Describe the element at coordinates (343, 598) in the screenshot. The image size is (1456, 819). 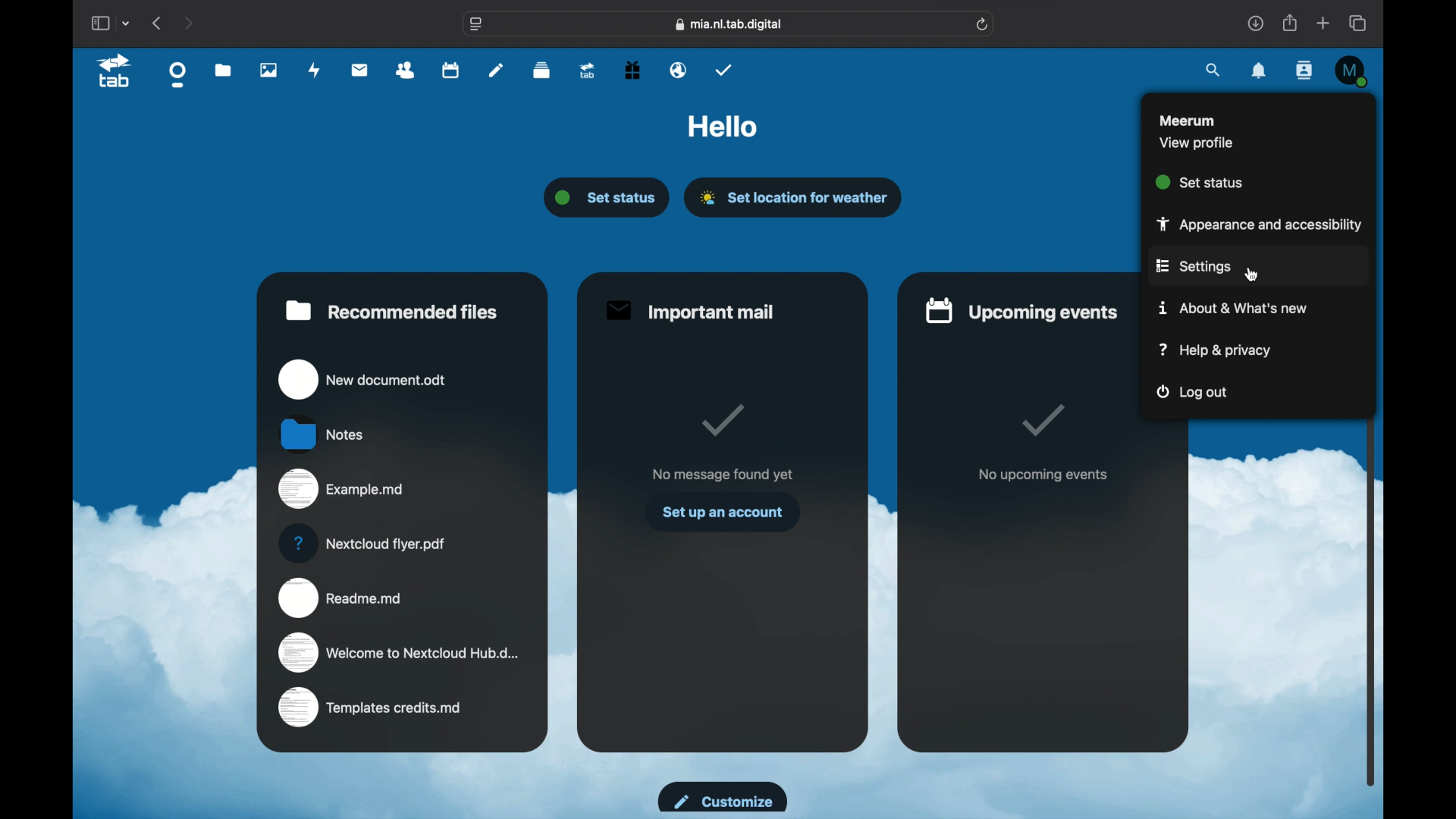
I see `readme.md` at that location.